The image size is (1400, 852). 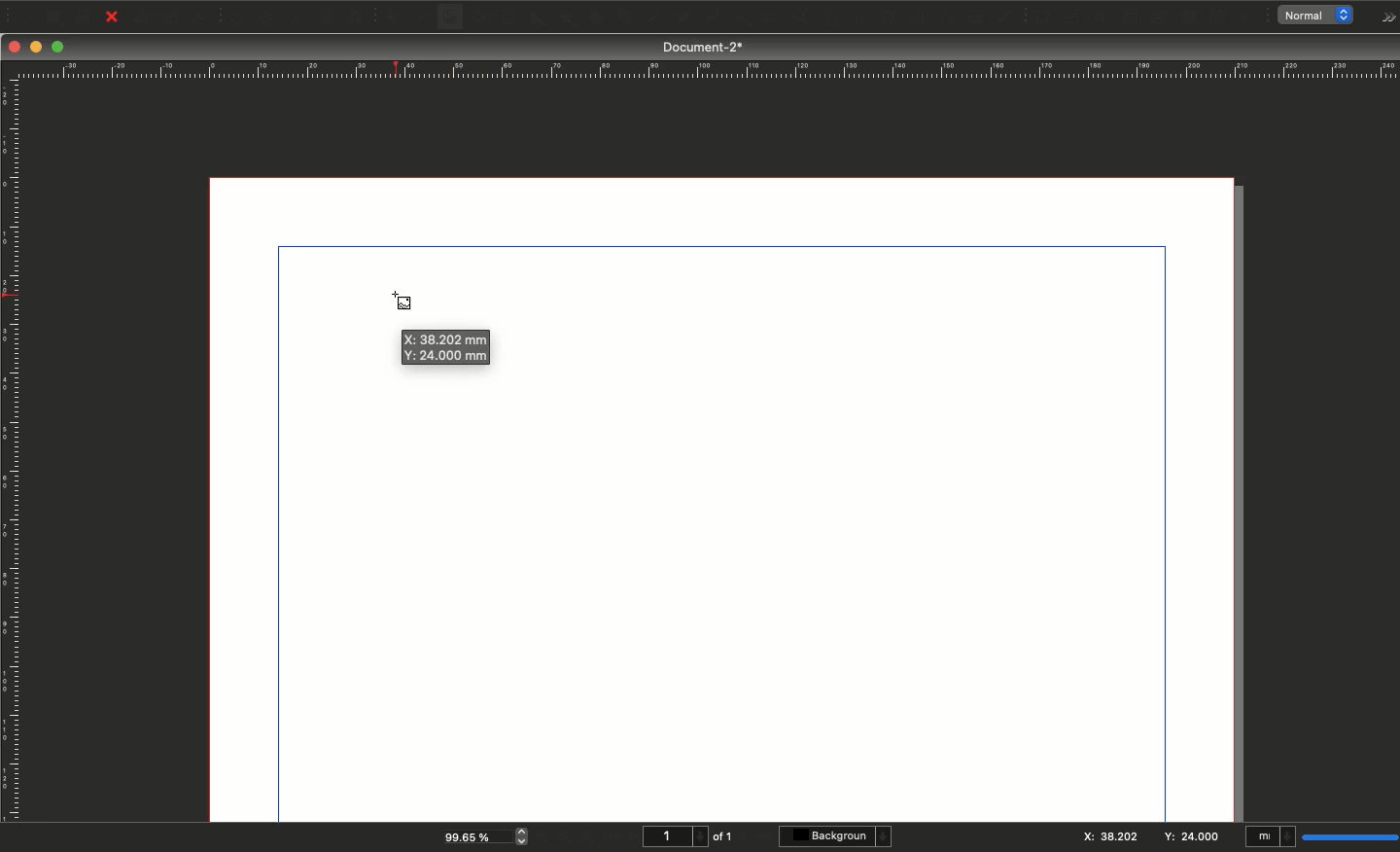 I want to click on Text annotation, so click(x=1220, y=18).